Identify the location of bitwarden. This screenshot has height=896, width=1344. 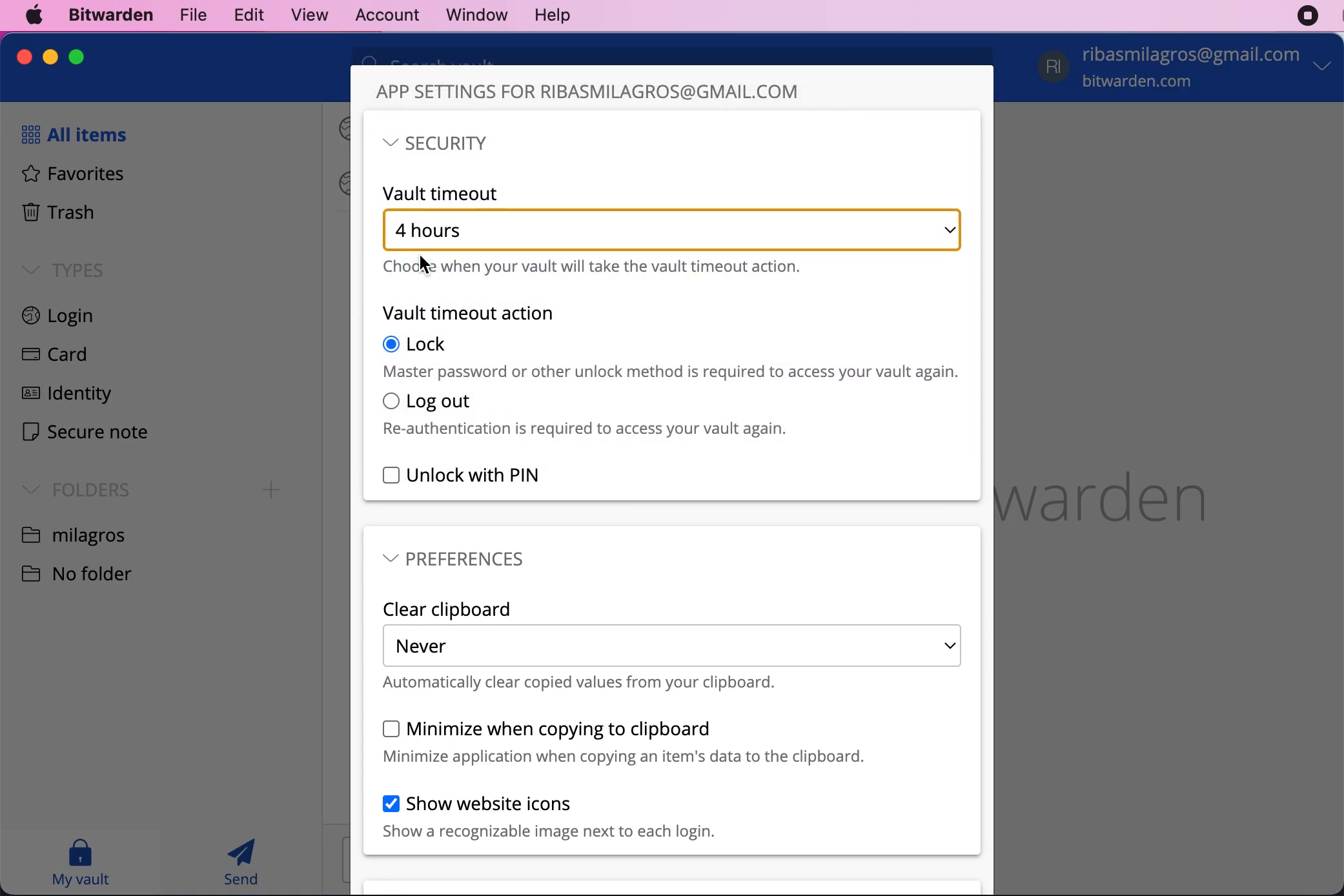
(108, 16).